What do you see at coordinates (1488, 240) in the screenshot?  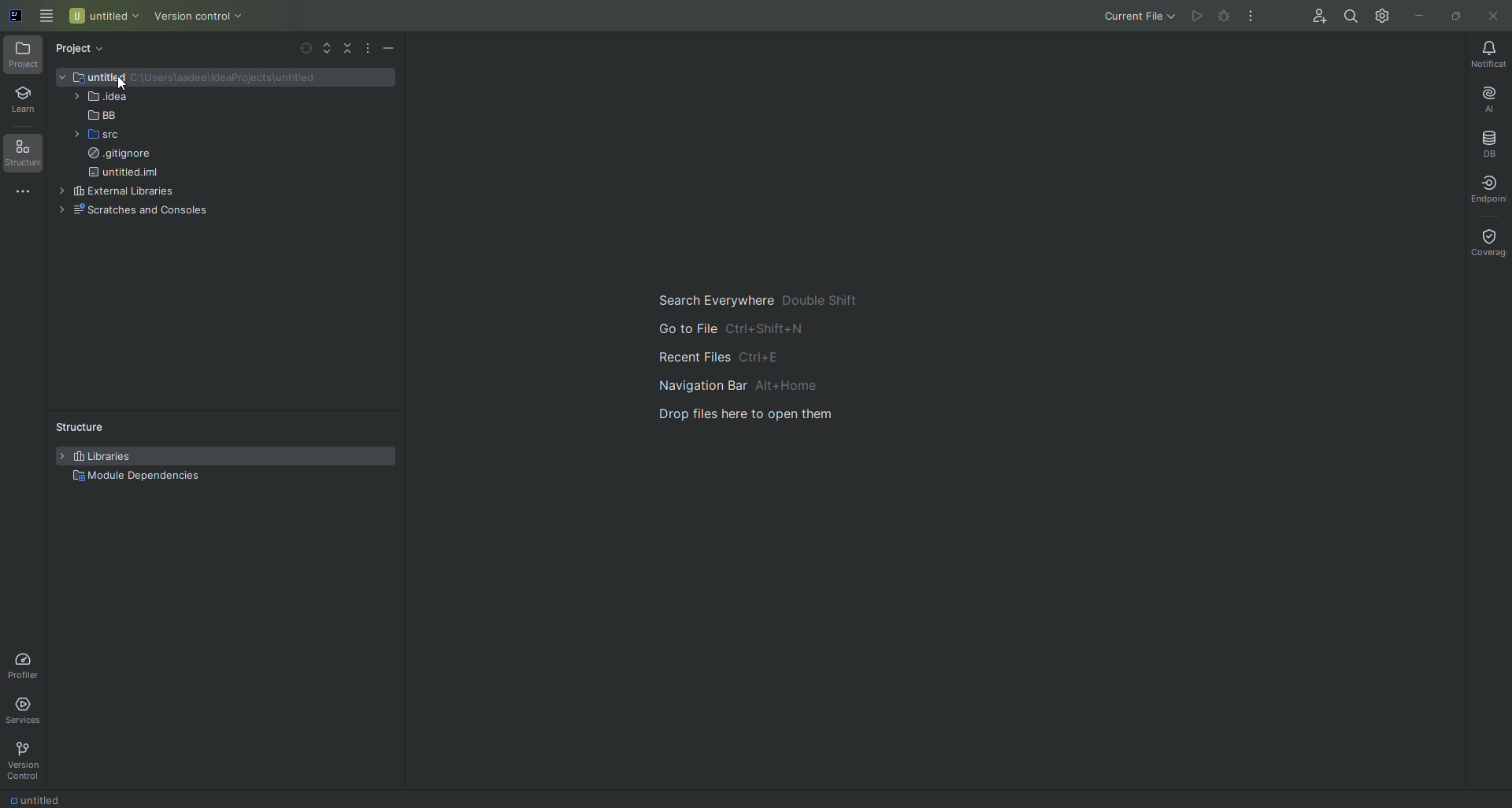 I see `Coverage` at bounding box center [1488, 240].